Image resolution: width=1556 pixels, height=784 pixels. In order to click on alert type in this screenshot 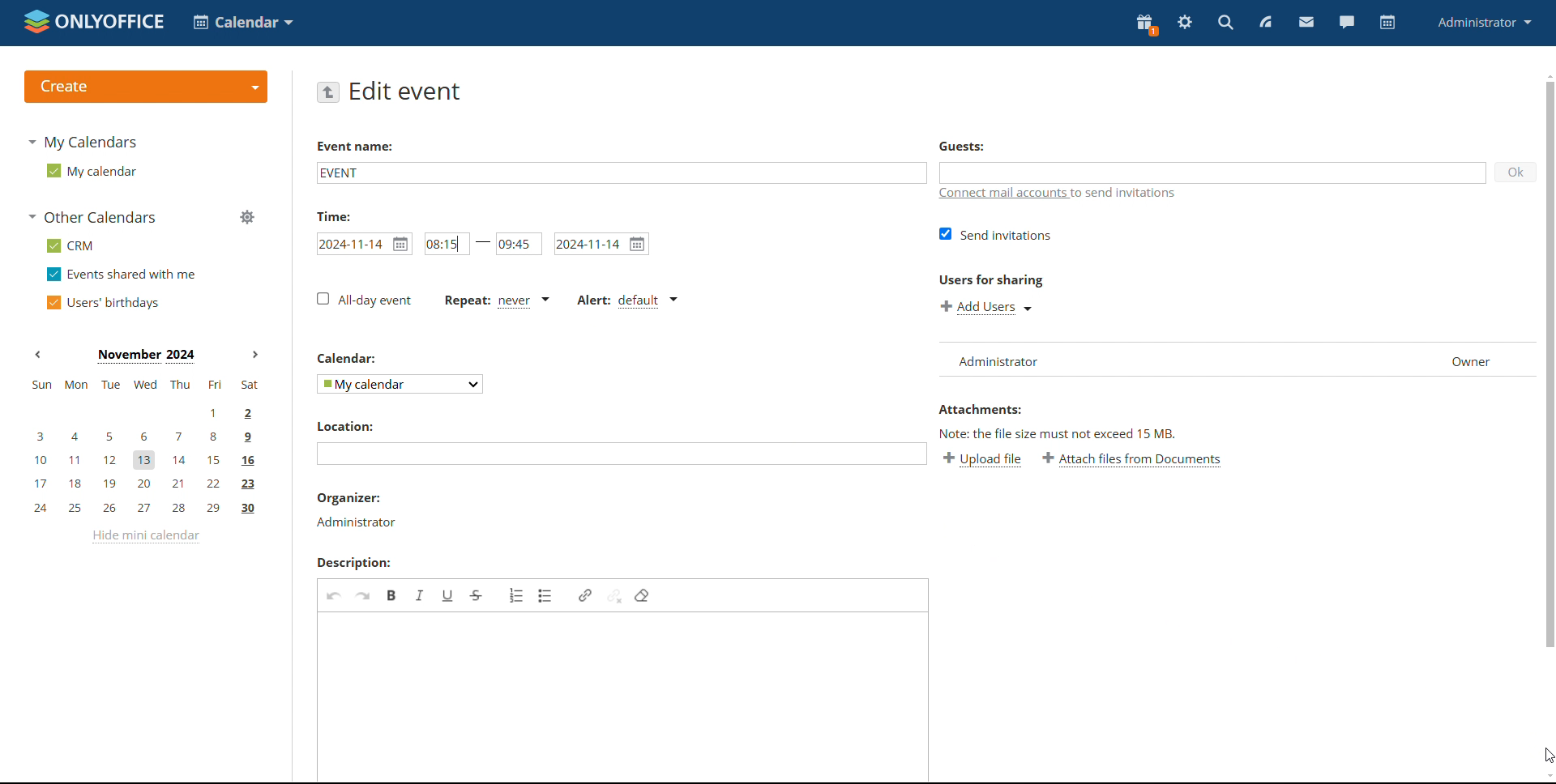, I will do `click(627, 300)`.